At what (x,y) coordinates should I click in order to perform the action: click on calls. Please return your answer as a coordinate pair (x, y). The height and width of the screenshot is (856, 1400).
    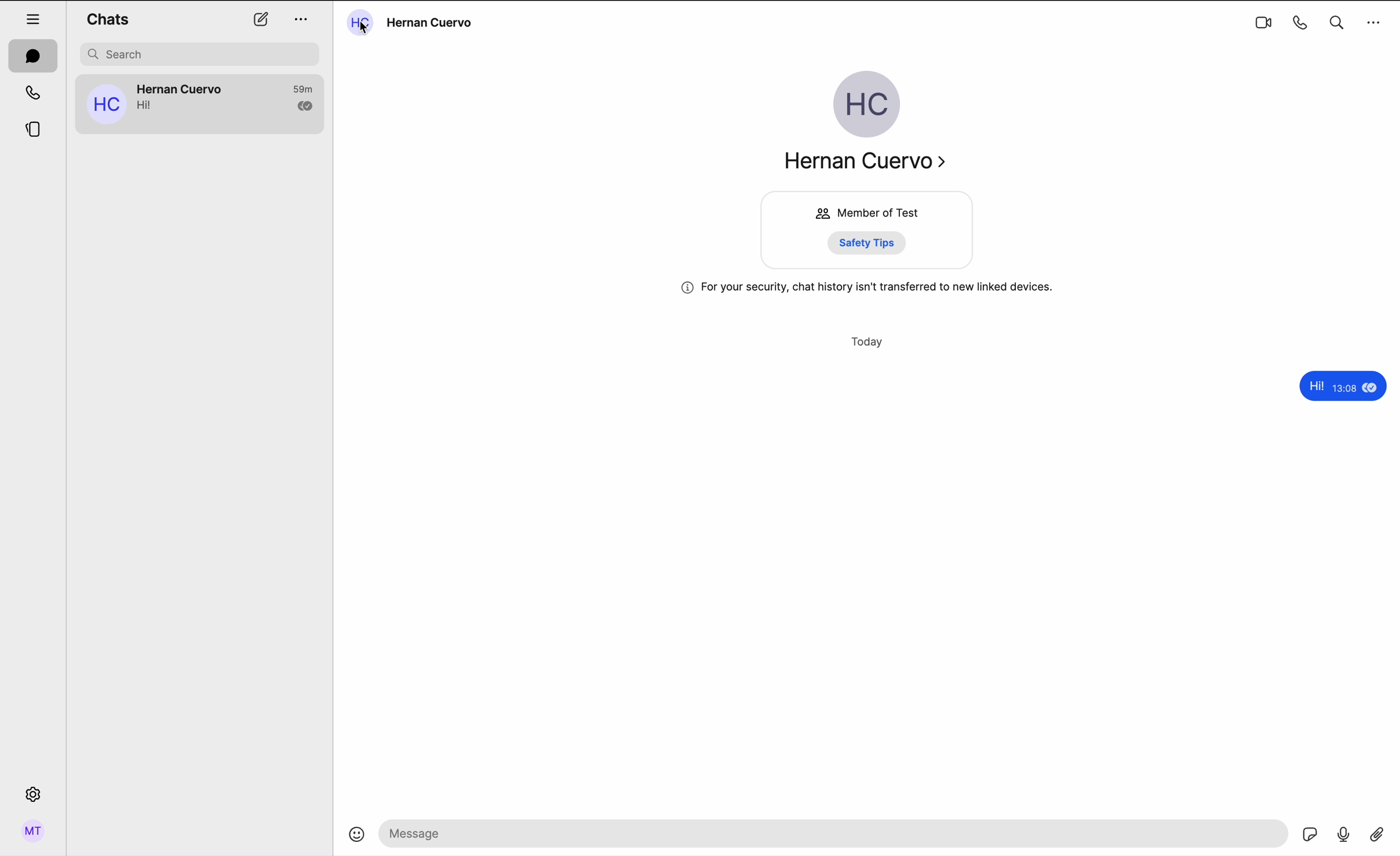
    Looking at the image, I should click on (35, 93).